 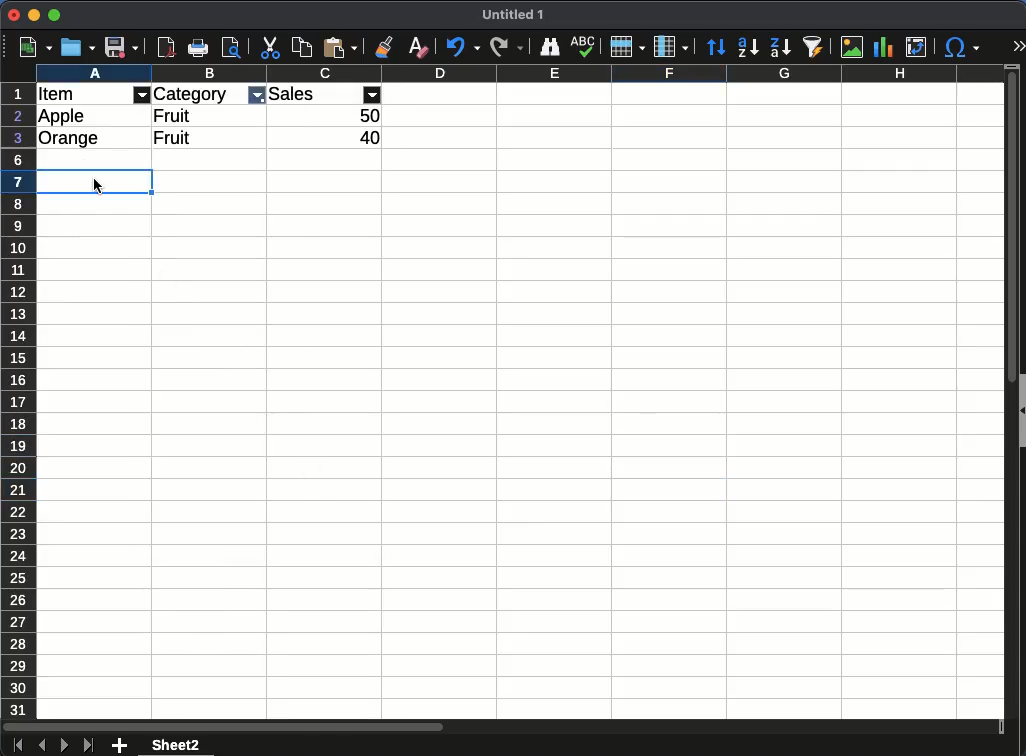 What do you see at coordinates (197, 47) in the screenshot?
I see `print` at bounding box center [197, 47].